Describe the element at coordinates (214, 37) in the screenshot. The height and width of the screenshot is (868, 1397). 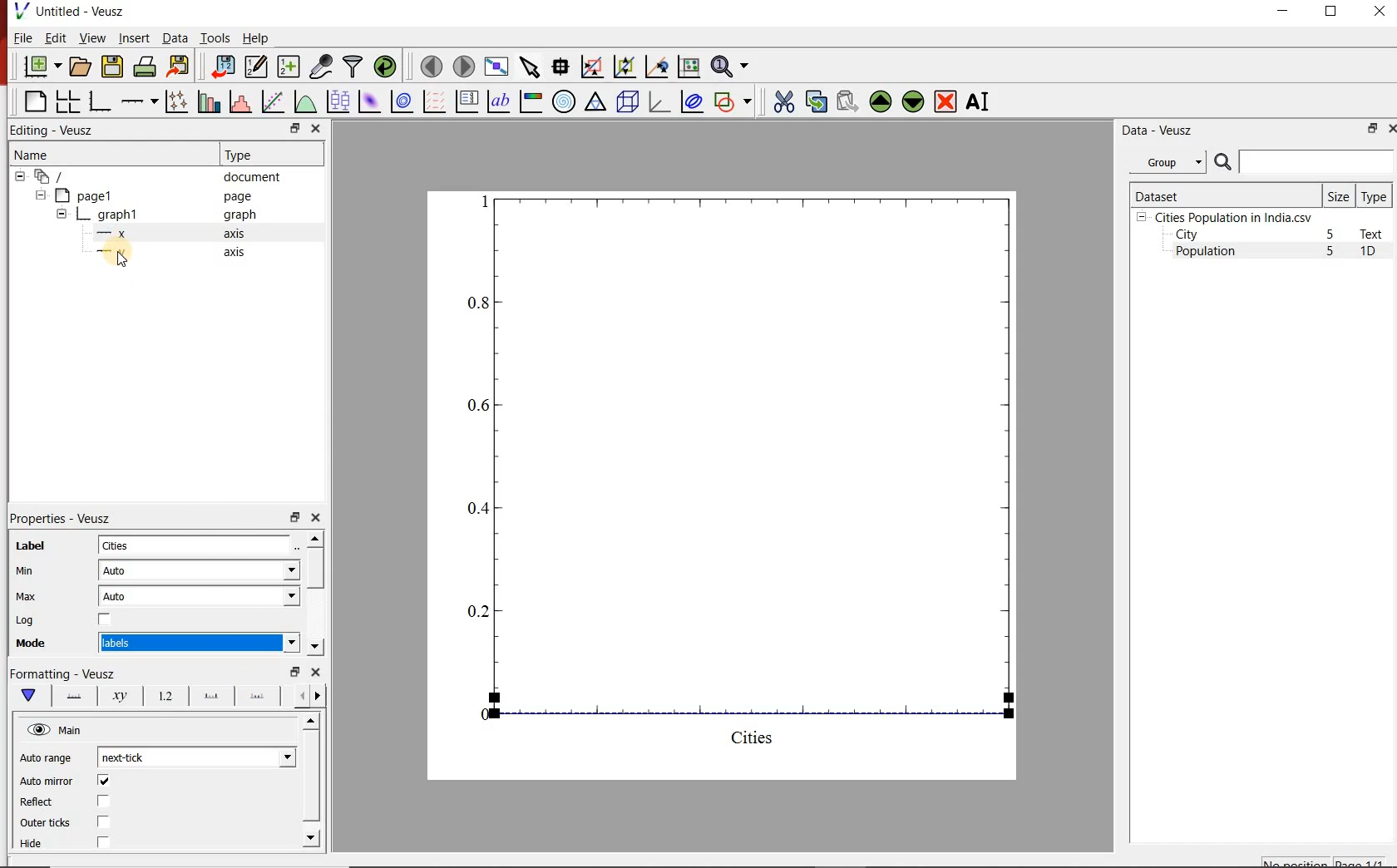
I see `Tools` at that location.